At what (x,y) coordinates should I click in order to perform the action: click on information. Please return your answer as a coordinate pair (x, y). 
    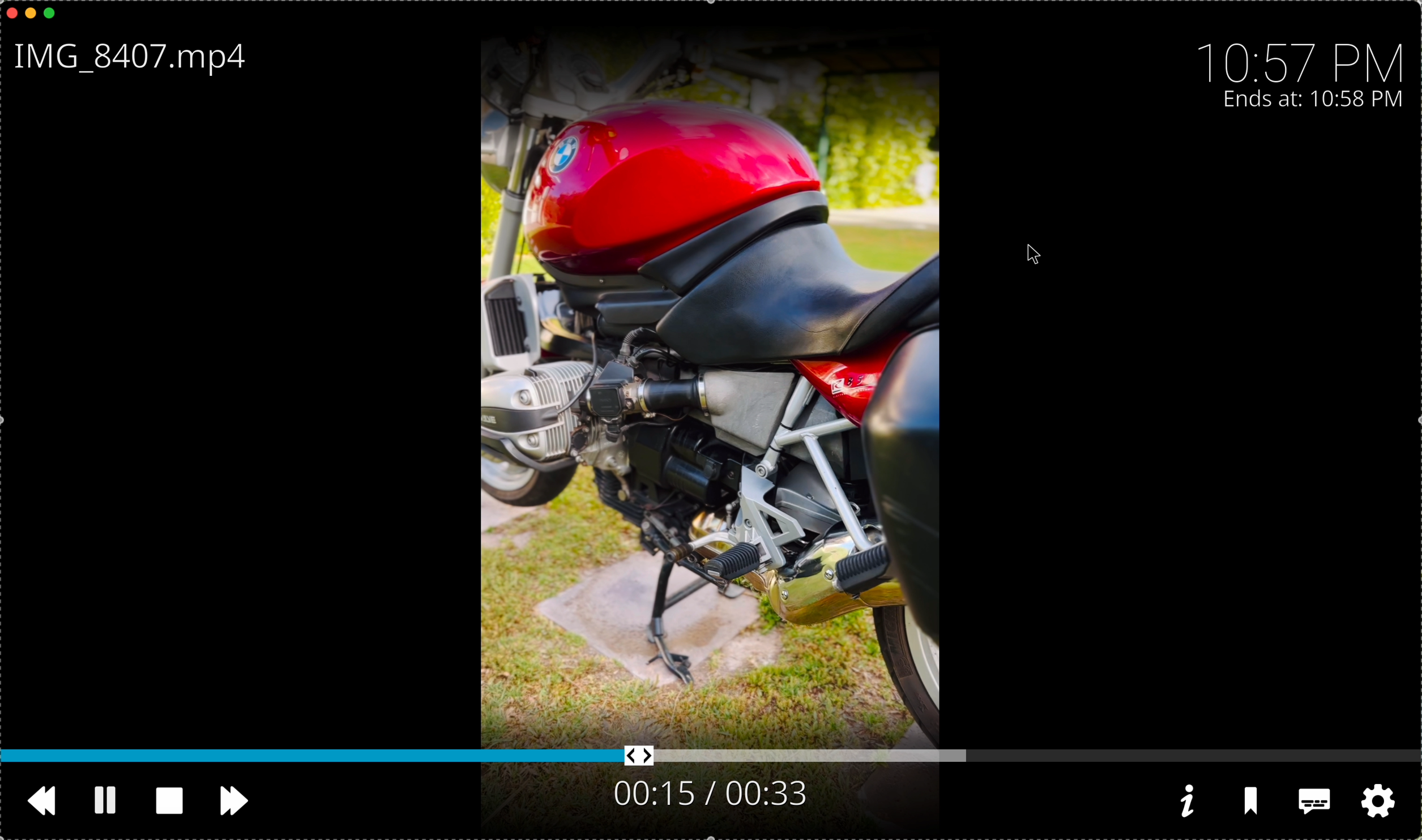
    Looking at the image, I should click on (1185, 801).